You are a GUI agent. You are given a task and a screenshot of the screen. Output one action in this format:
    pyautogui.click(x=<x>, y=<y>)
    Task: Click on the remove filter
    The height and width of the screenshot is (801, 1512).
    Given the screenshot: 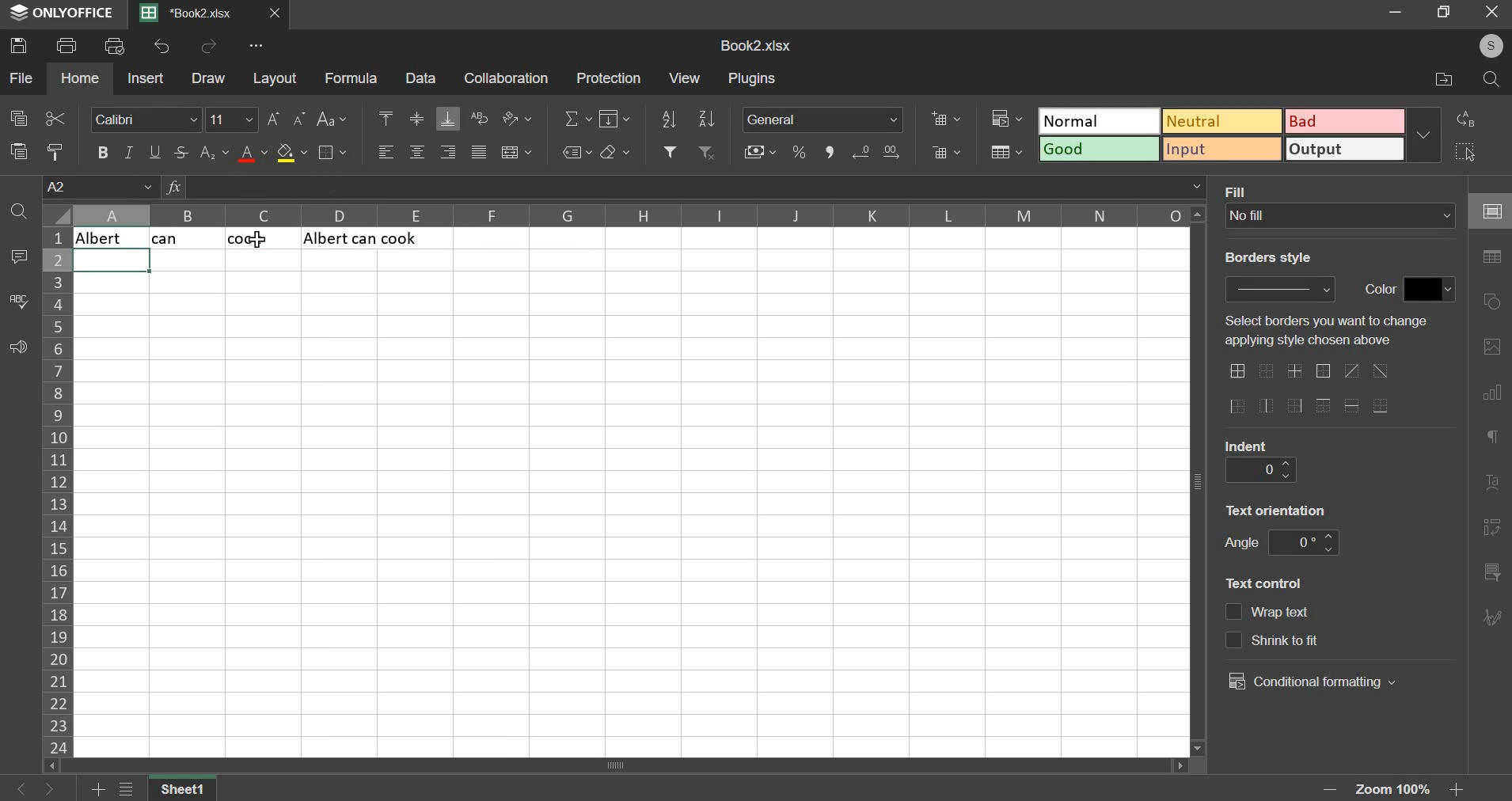 What is the action you would take?
    pyautogui.click(x=709, y=151)
    